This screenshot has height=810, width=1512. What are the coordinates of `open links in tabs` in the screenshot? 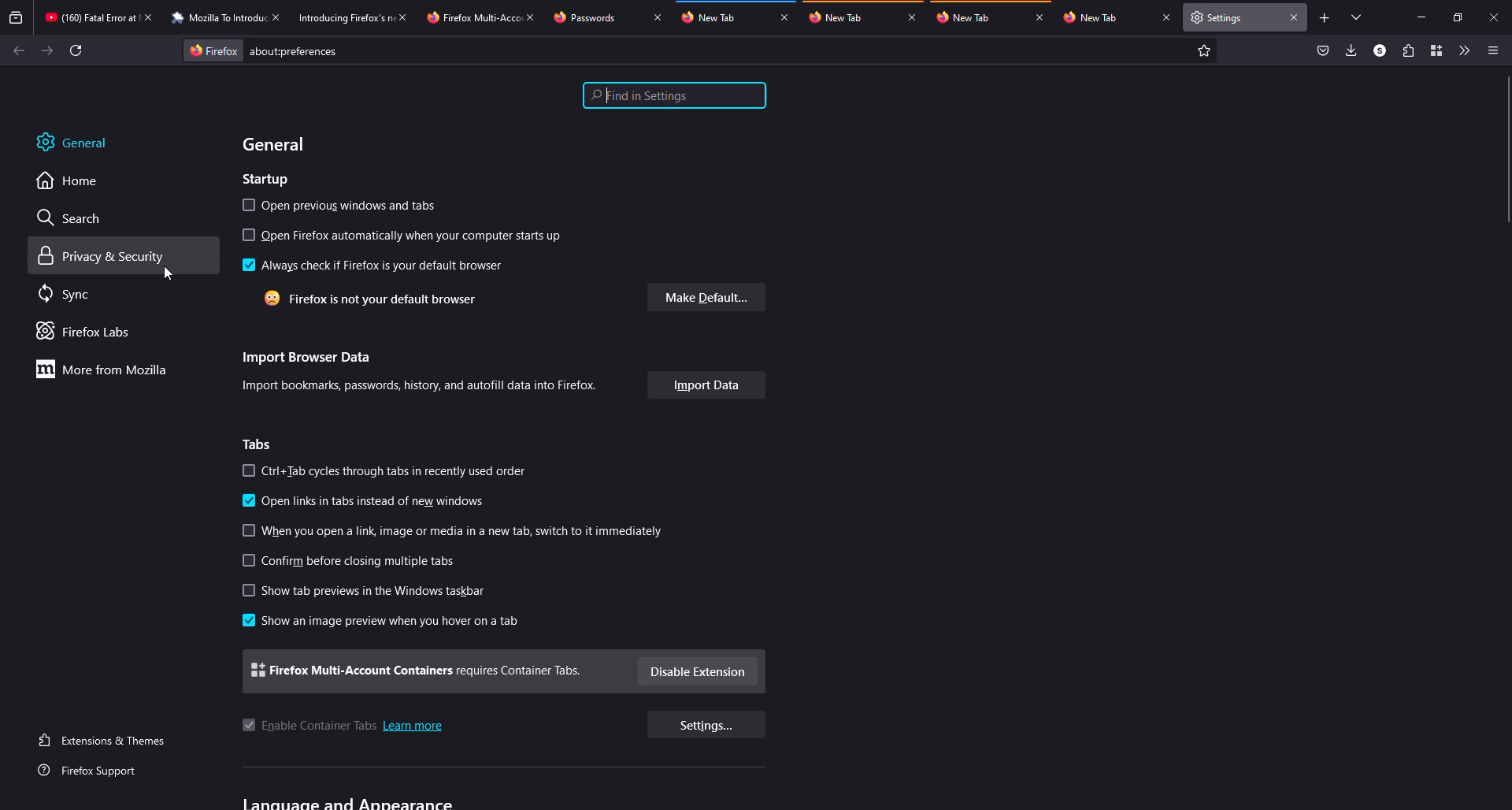 It's located at (375, 503).